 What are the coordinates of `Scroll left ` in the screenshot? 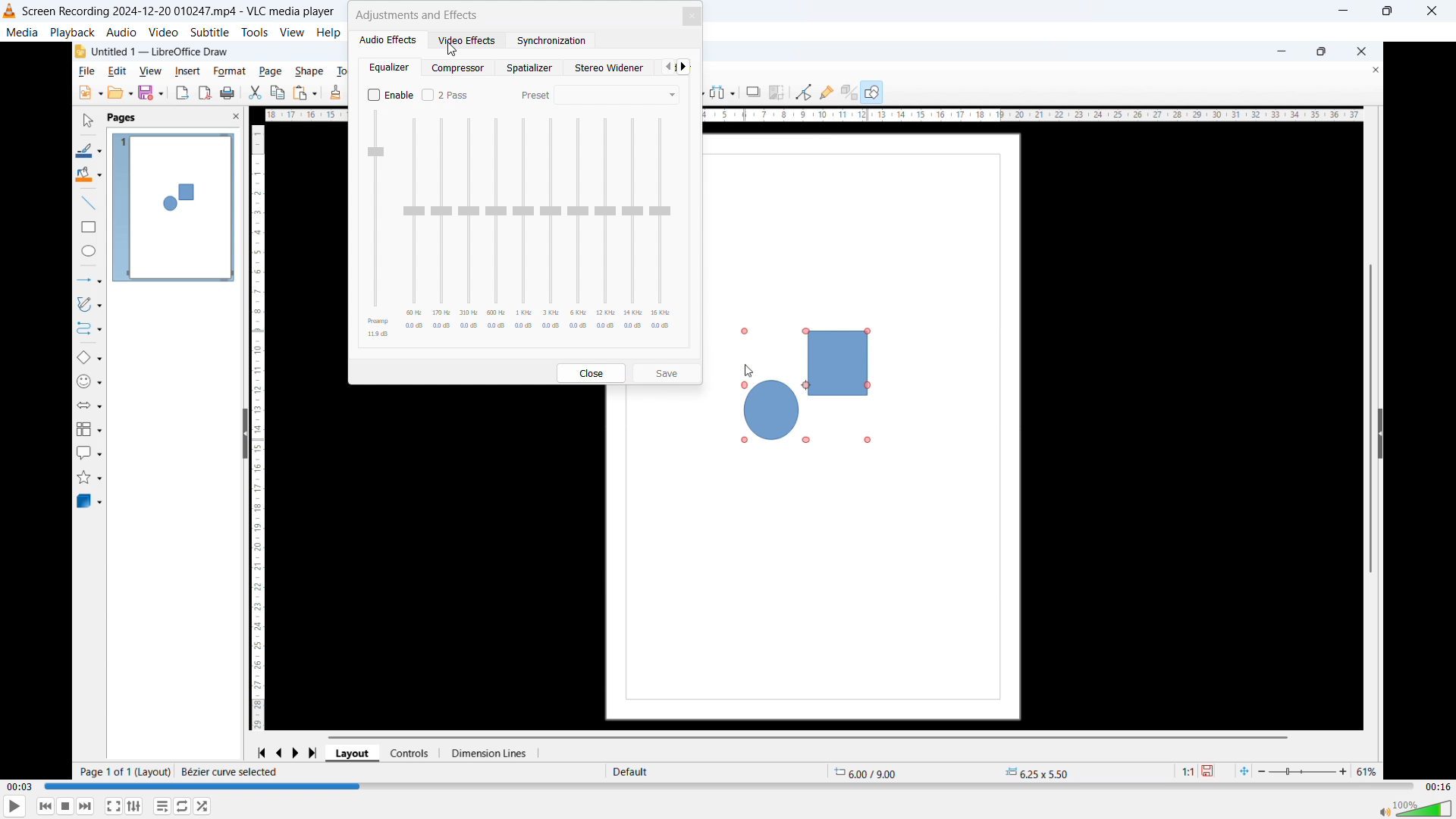 It's located at (667, 67).